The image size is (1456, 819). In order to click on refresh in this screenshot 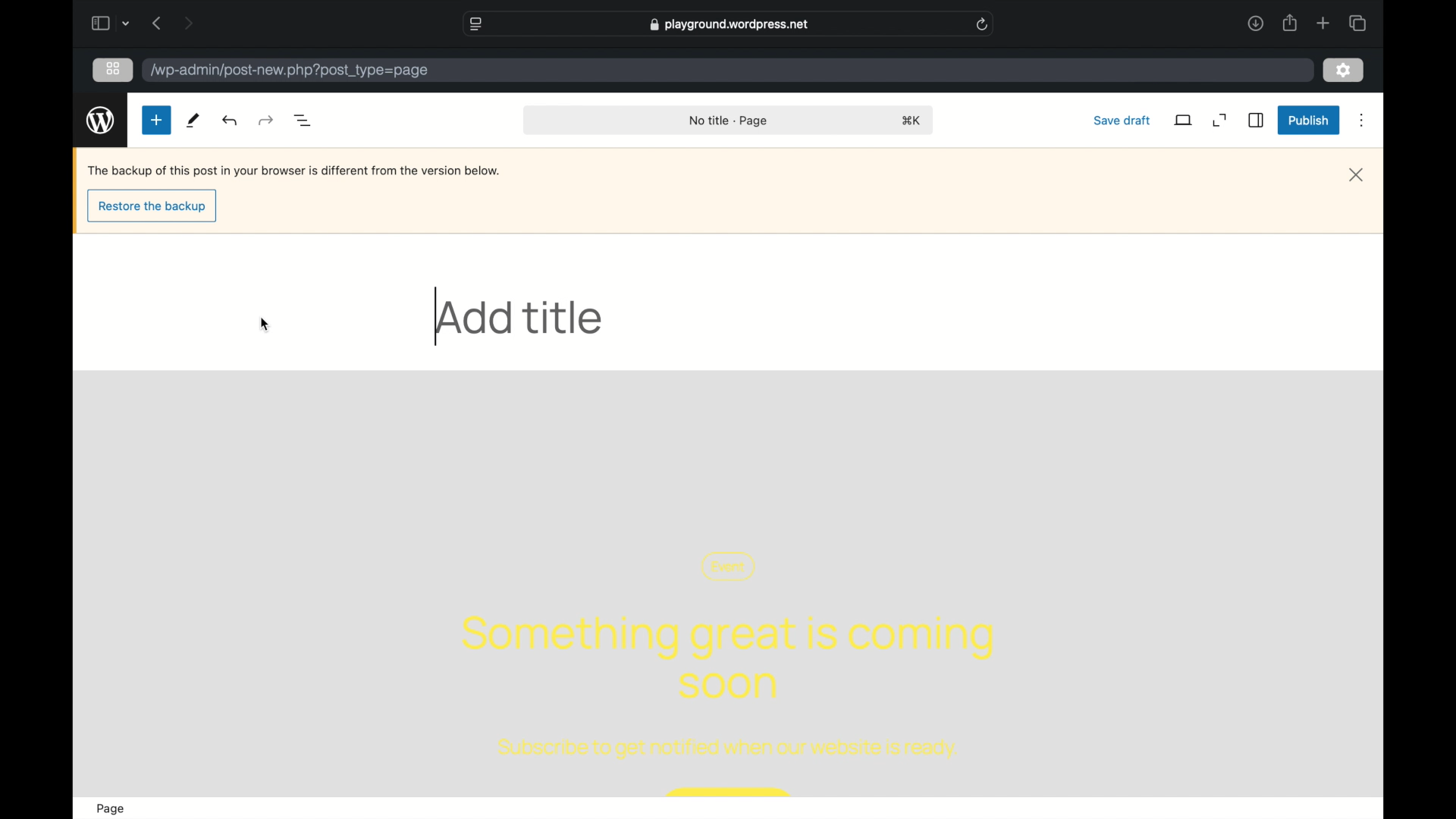, I will do `click(983, 25)`.